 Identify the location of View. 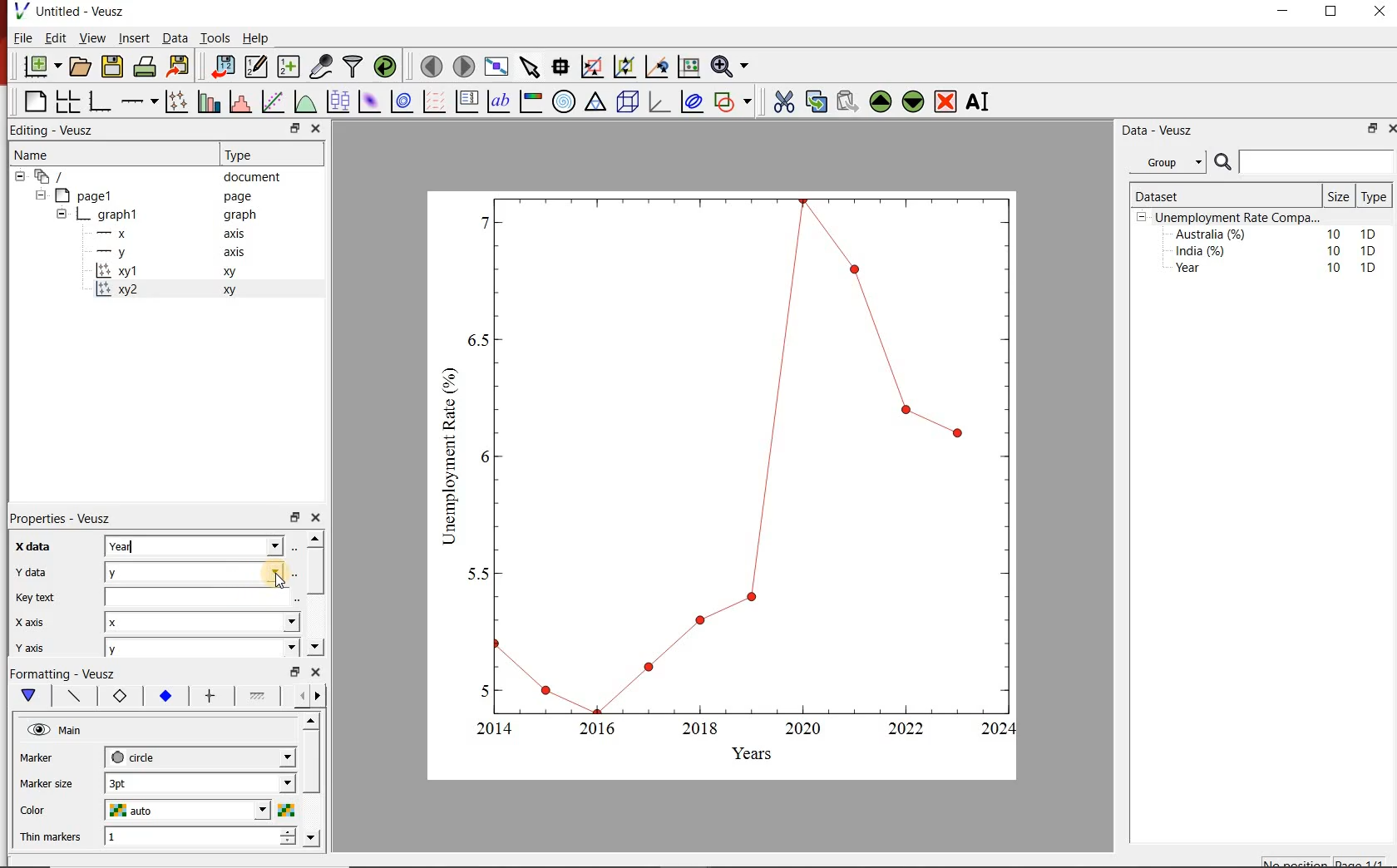
(91, 38).